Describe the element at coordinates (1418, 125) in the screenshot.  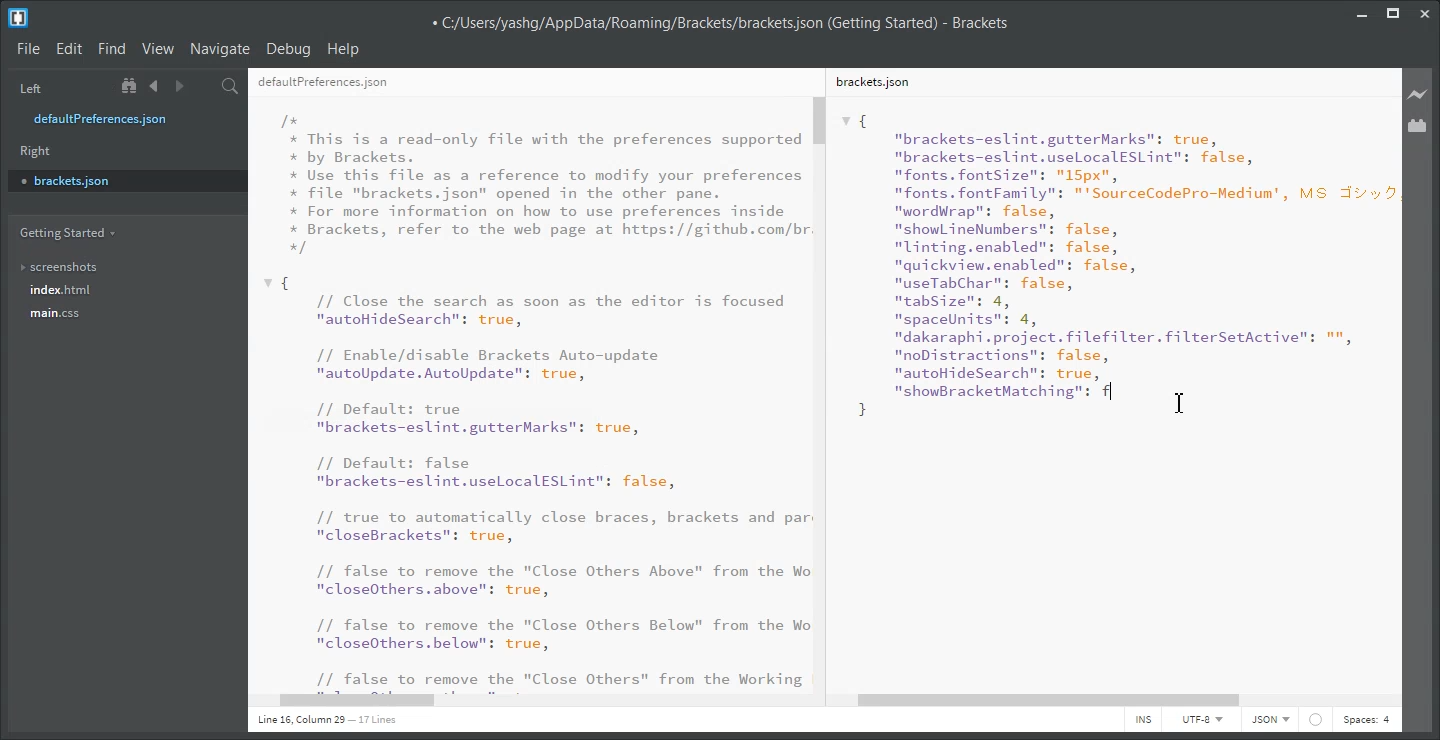
I see `Extension Manager` at that location.